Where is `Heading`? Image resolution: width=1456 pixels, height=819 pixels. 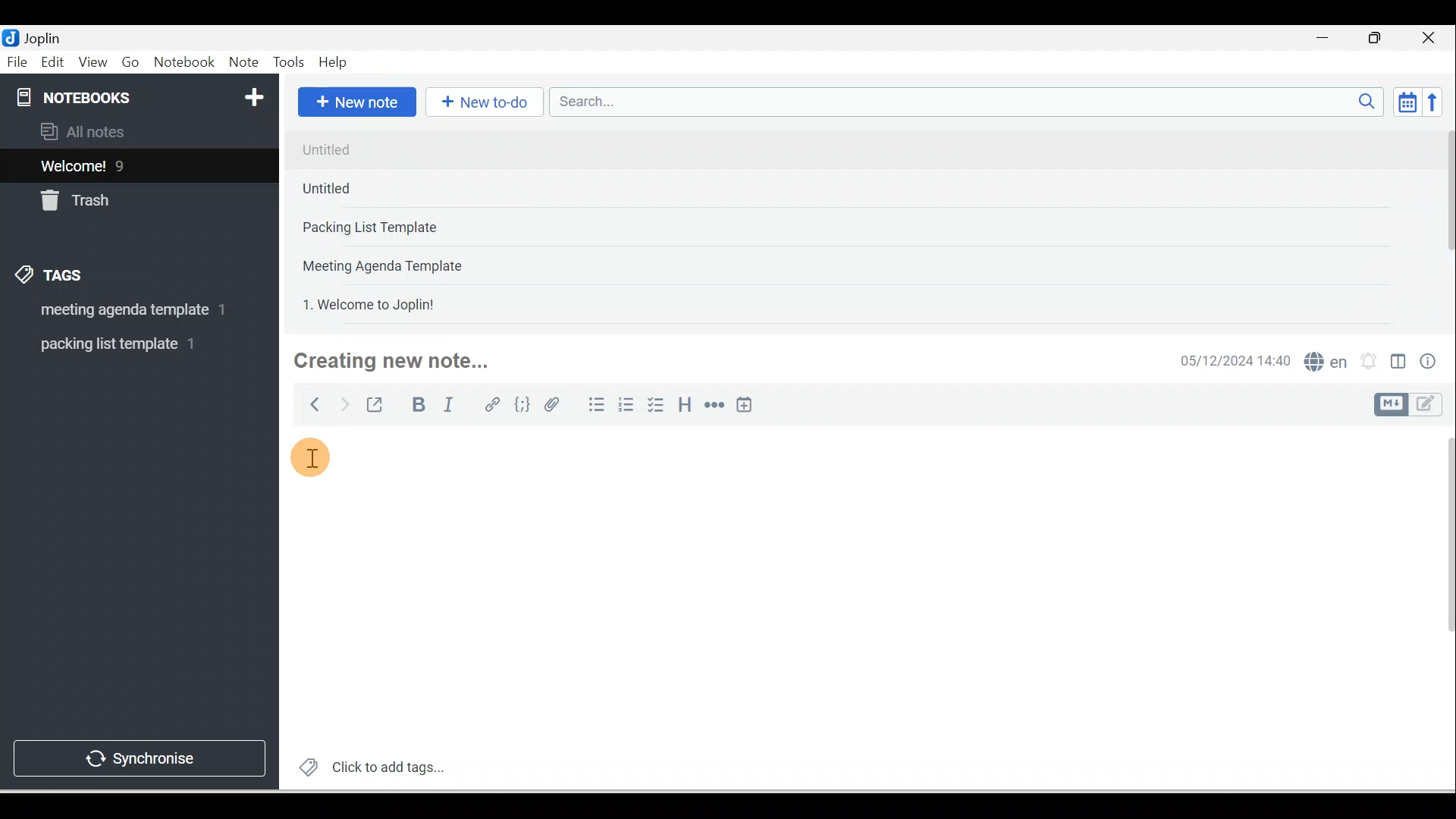
Heading is located at coordinates (684, 403).